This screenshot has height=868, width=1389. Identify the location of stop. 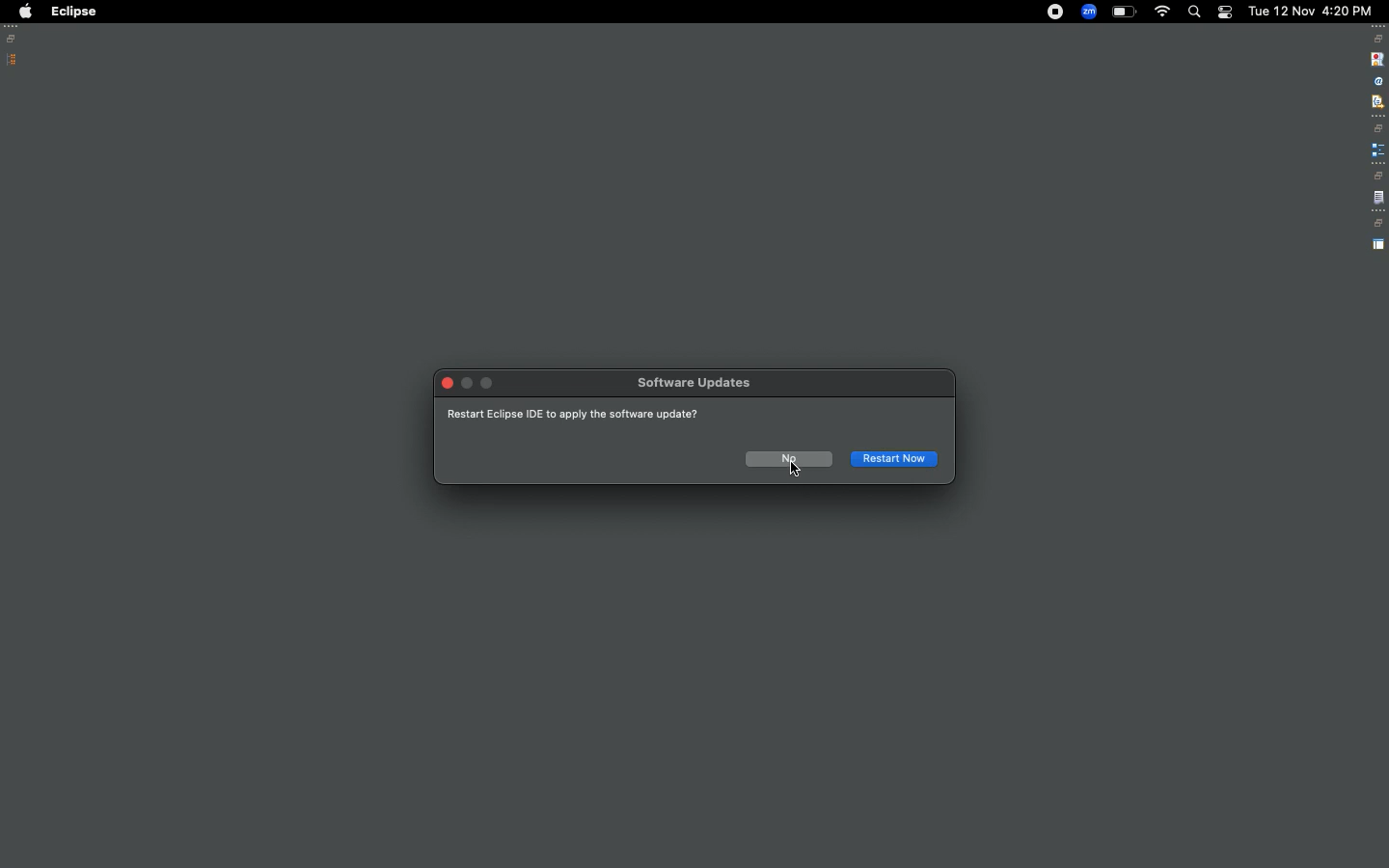
(1375, 58).